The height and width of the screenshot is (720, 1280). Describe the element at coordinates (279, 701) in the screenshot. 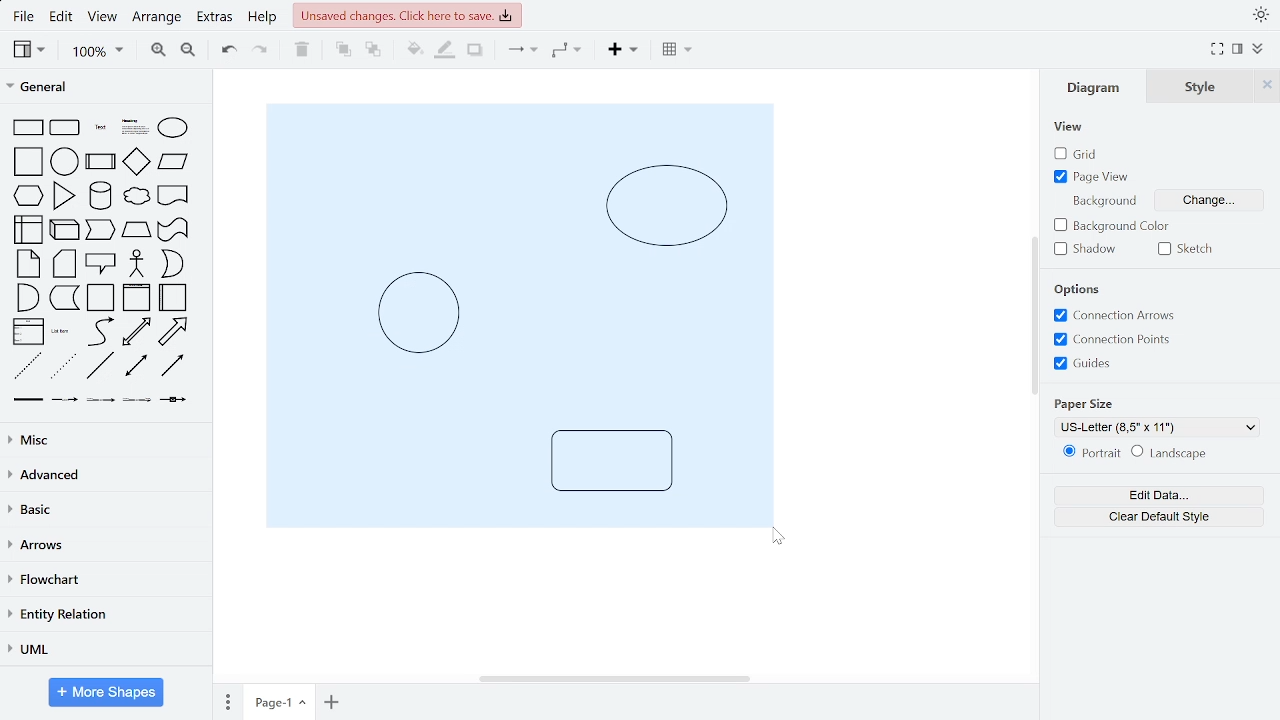

I see `Page-1` at that location.